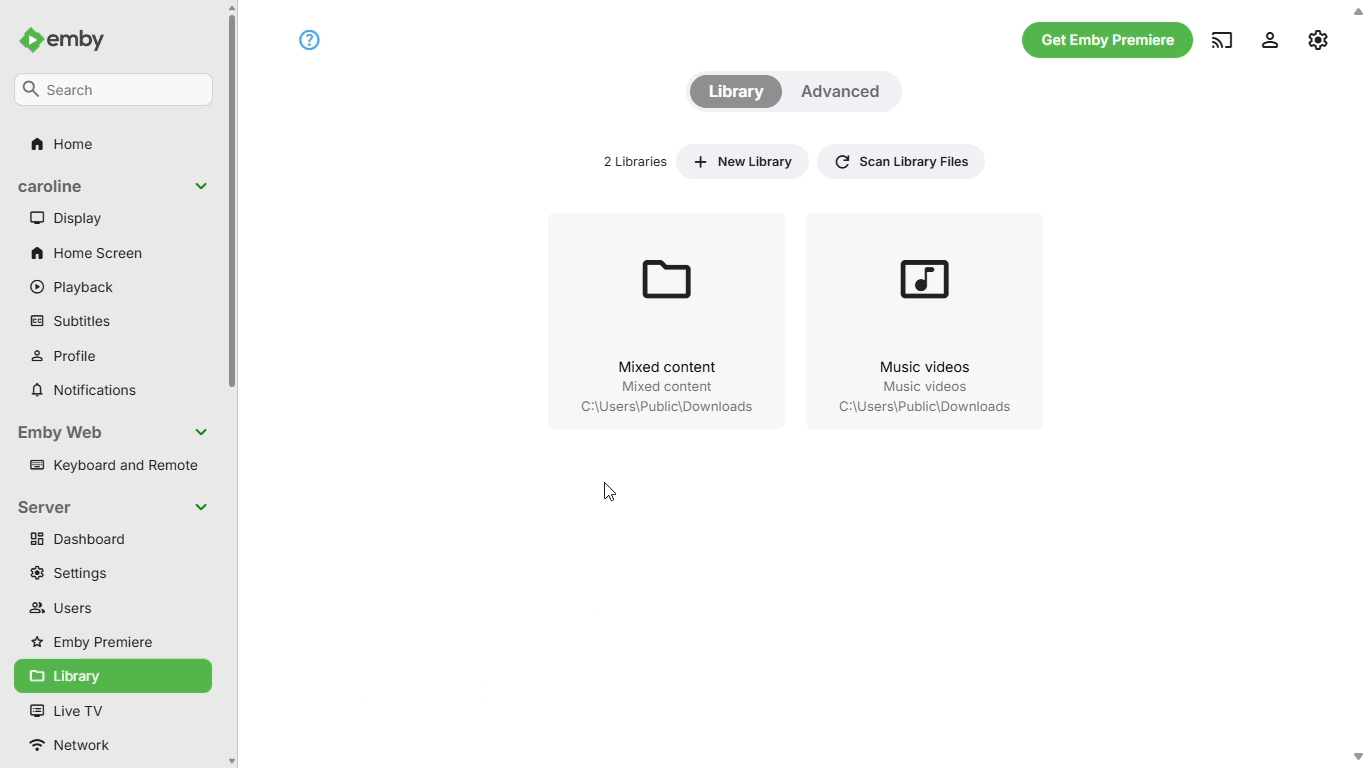  What do you see at coordinates (65, 356) in the screenshot?
I see `profile` at bounding box center [65, 356].